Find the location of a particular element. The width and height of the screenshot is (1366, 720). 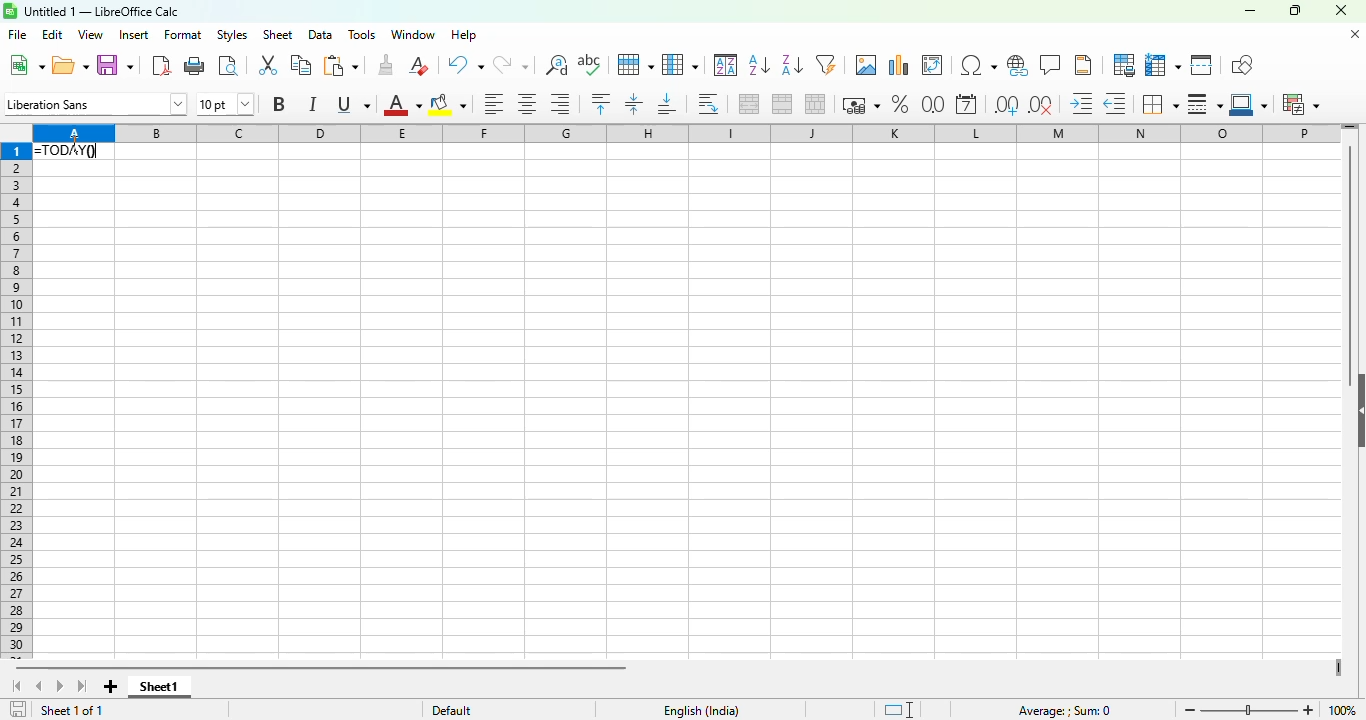

unmerge cells is located at coordinates (814, 104).